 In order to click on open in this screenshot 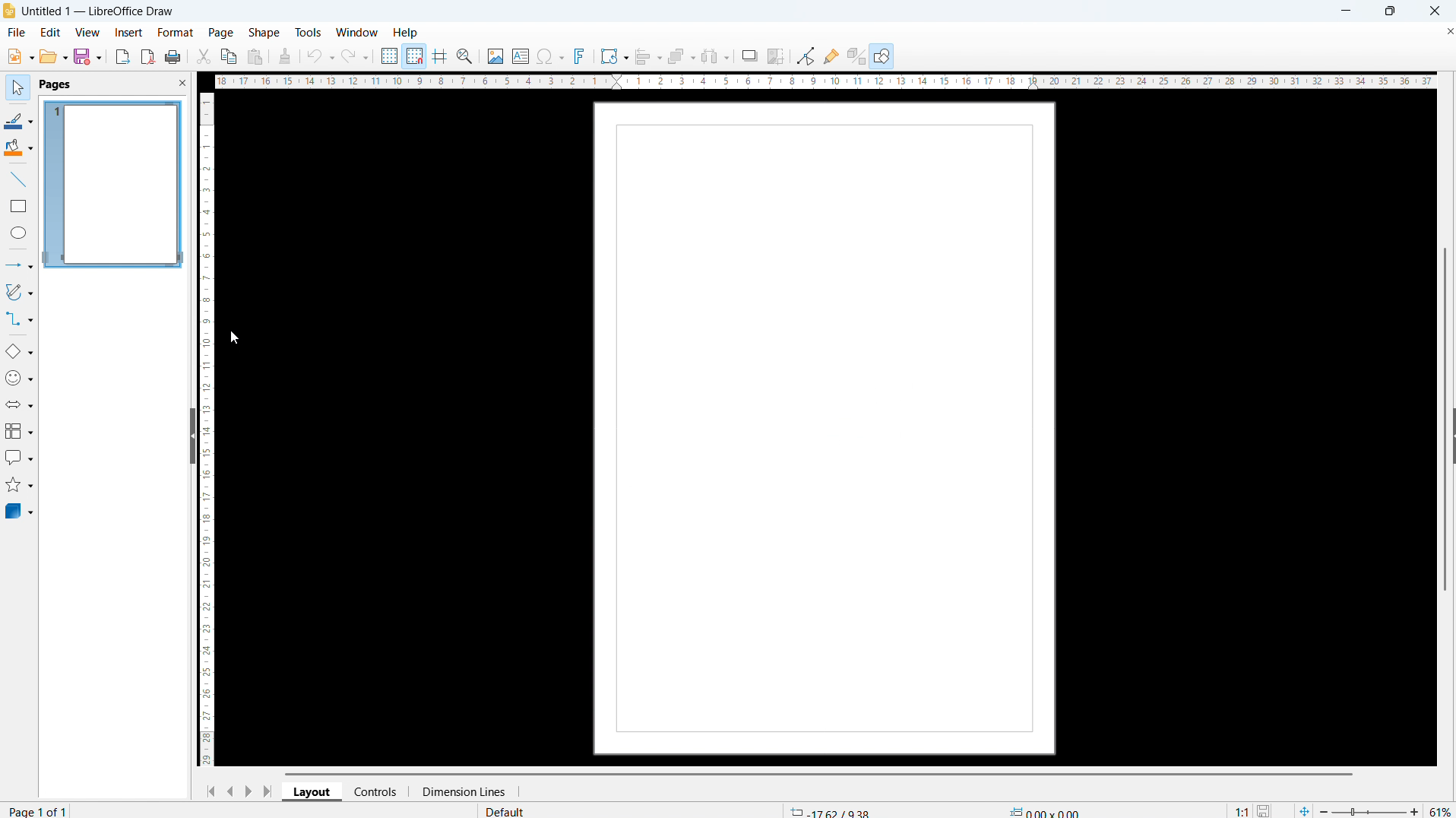, I will do `click(54, 57)`.